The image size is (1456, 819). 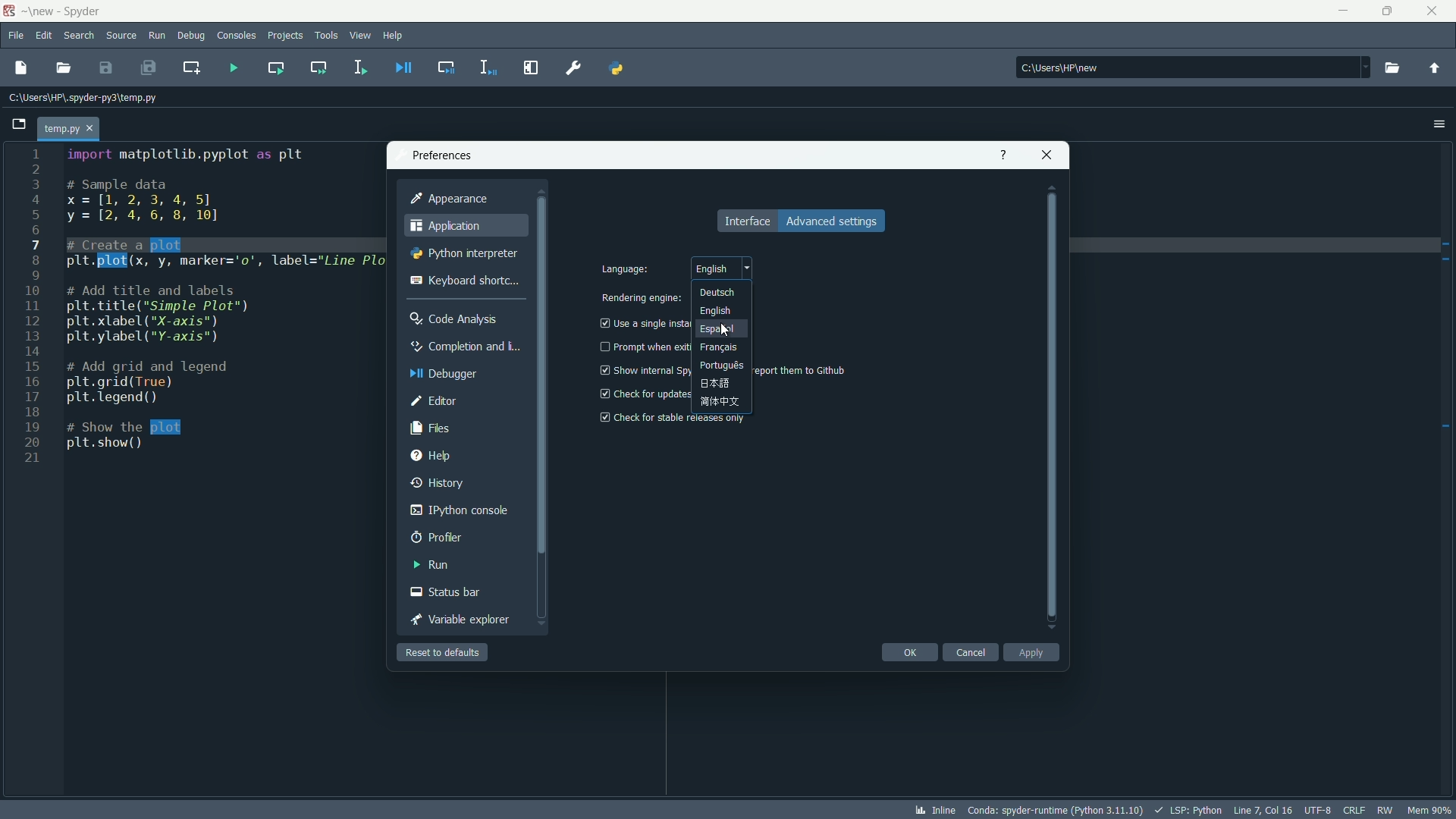 I want to click on vertical scrollbar, so click(x=543, y=410).